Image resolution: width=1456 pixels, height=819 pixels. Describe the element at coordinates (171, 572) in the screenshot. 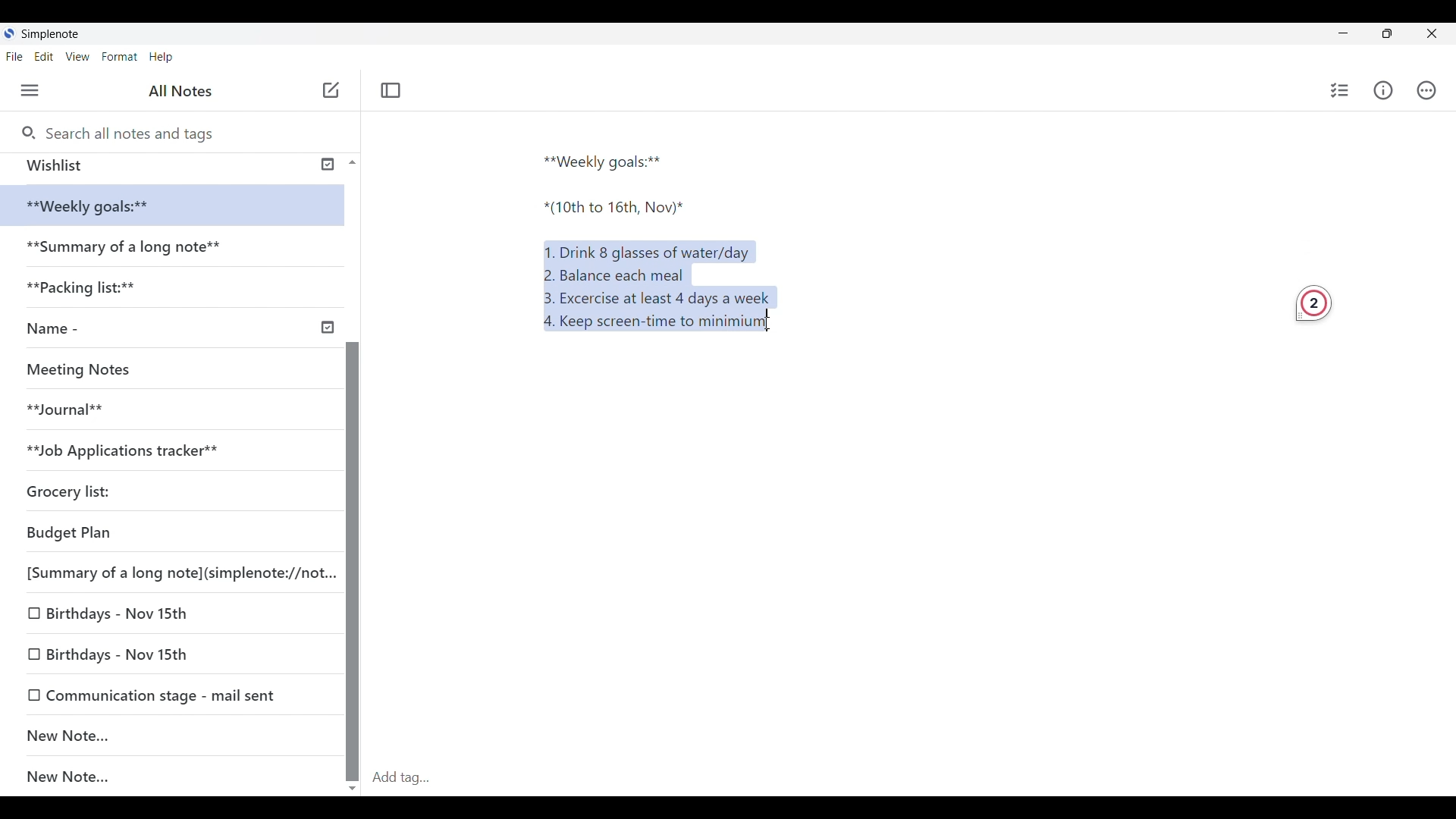

I see `[Summary of a long note](simplenote://not.` at that location.